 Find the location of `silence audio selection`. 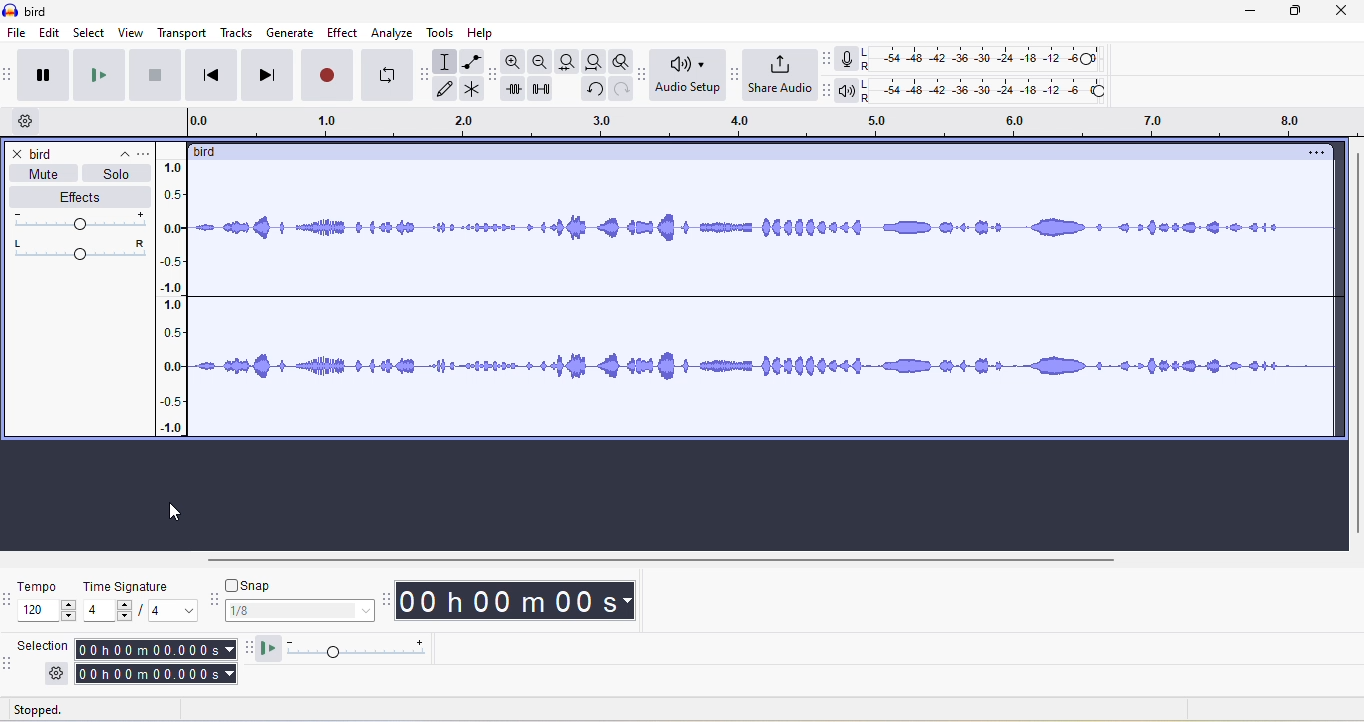

silence audio selection is located at coordinates (547, 93).